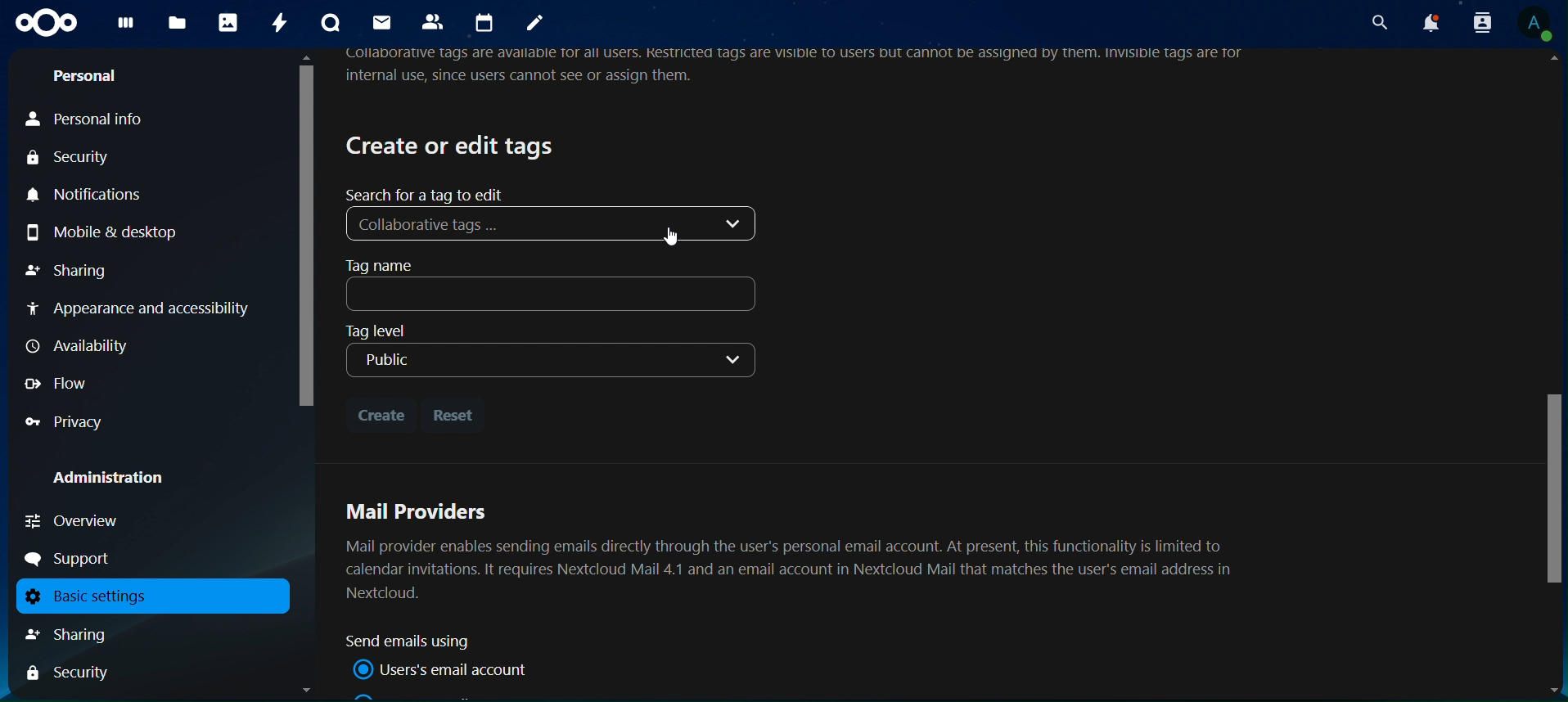 This screenshot has width=1568, height=702. What do you see at coordinates (436, 23) in the screenshot?
I see `contacts` at bounding box center [436, 23].